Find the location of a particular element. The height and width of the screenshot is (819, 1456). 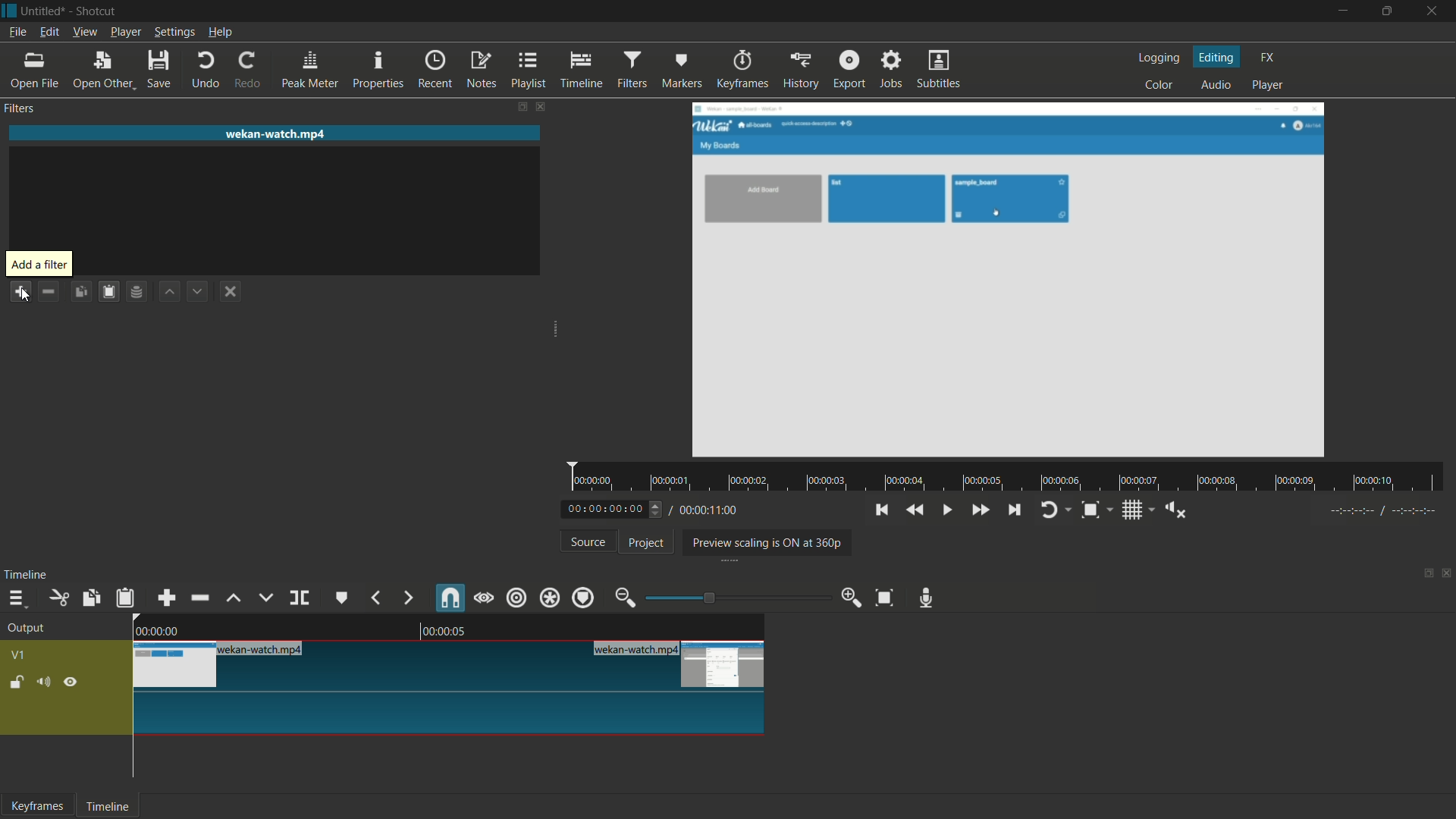

recent is located at coordinates (435, 70).